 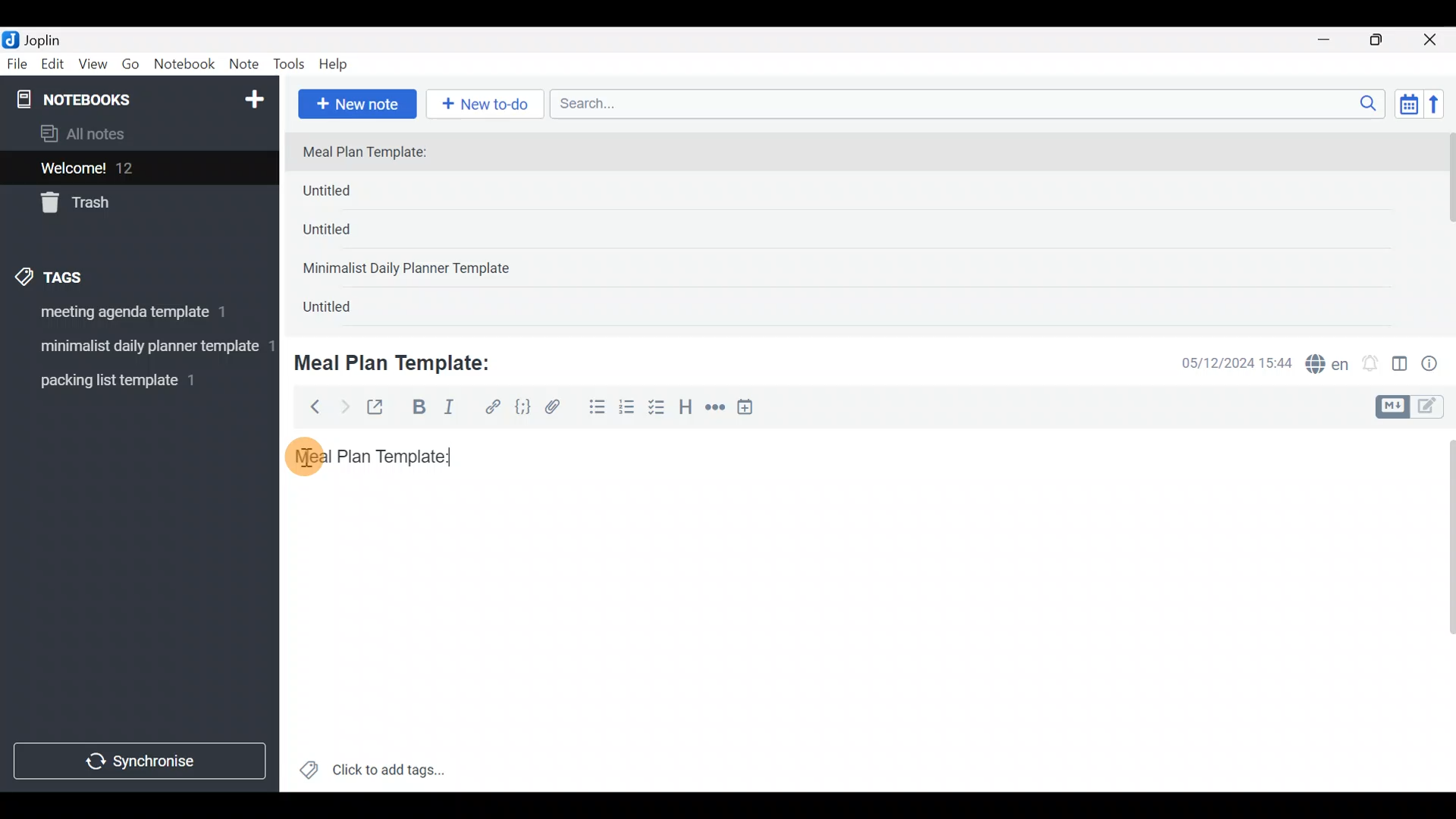 What do you see at coordinates (1432, 41) in the screenshot?
I see `Close` at bounding box center [1432, 41].